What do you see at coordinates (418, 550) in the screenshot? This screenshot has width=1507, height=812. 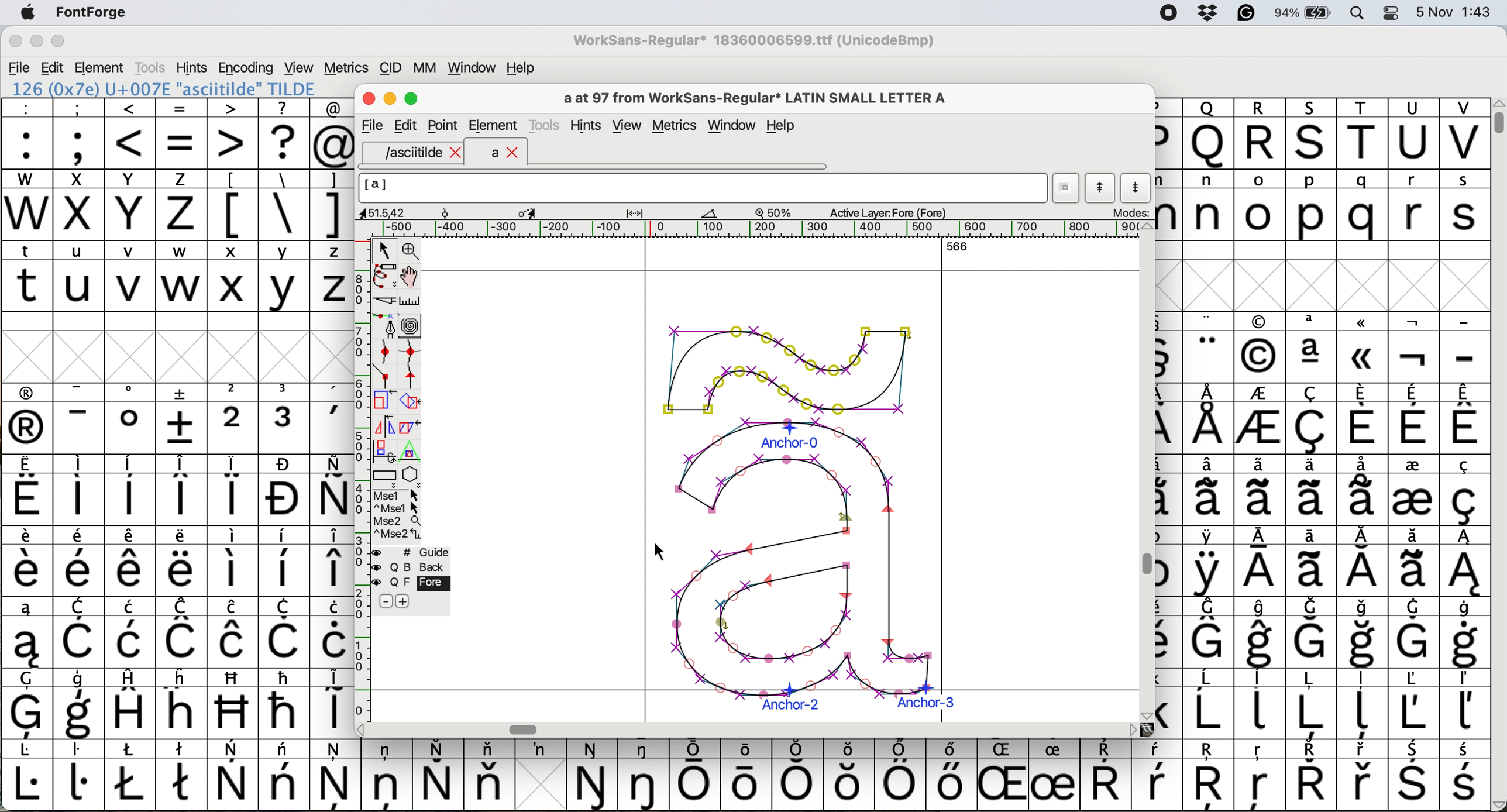 I see `guide` at bounding box center [418, 550].